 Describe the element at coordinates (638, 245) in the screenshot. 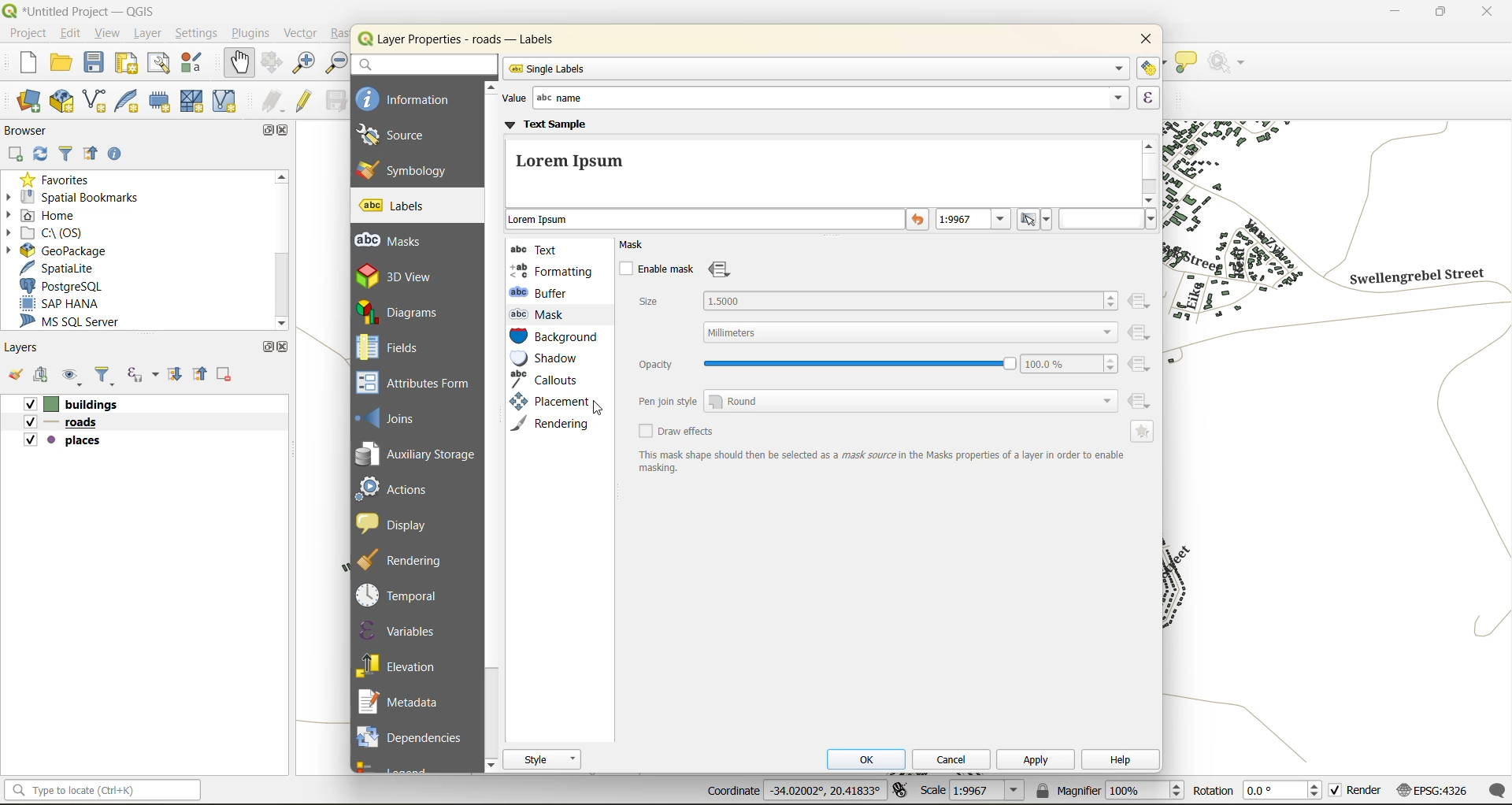

I see `mask` at that location.